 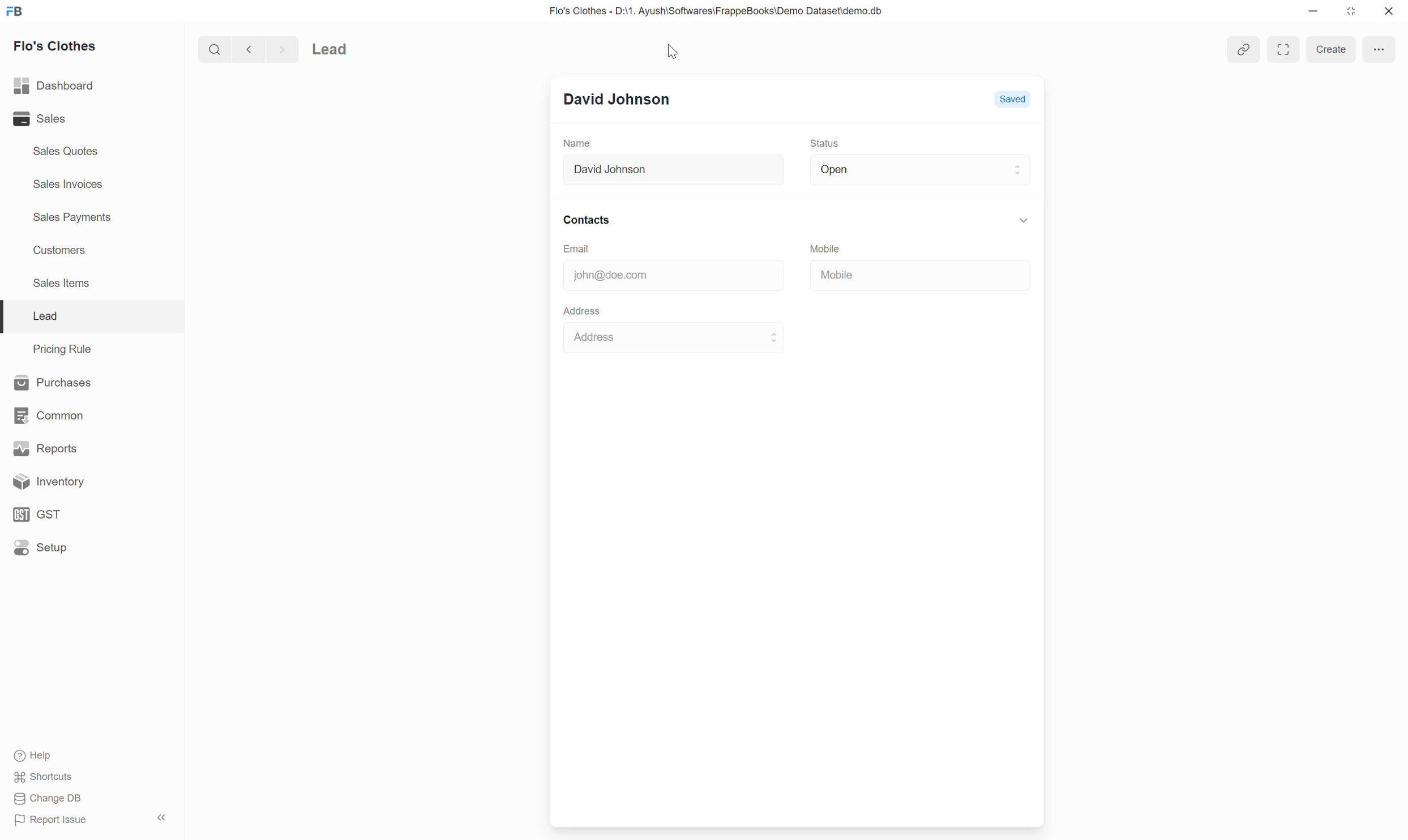 I want to click on David Johnson, so click(x=621, y=99).